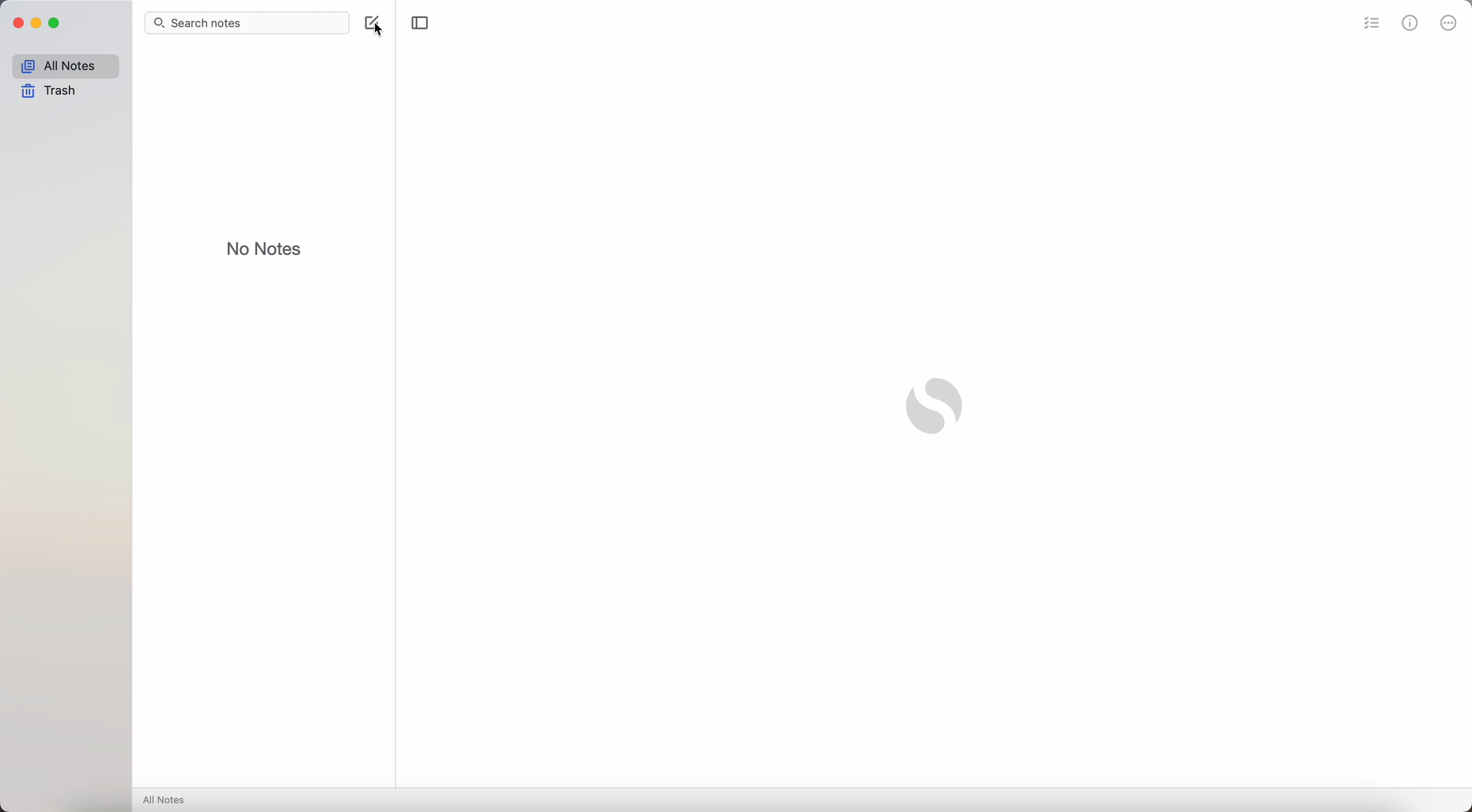  I want to click on maximize, so click(56, 23).